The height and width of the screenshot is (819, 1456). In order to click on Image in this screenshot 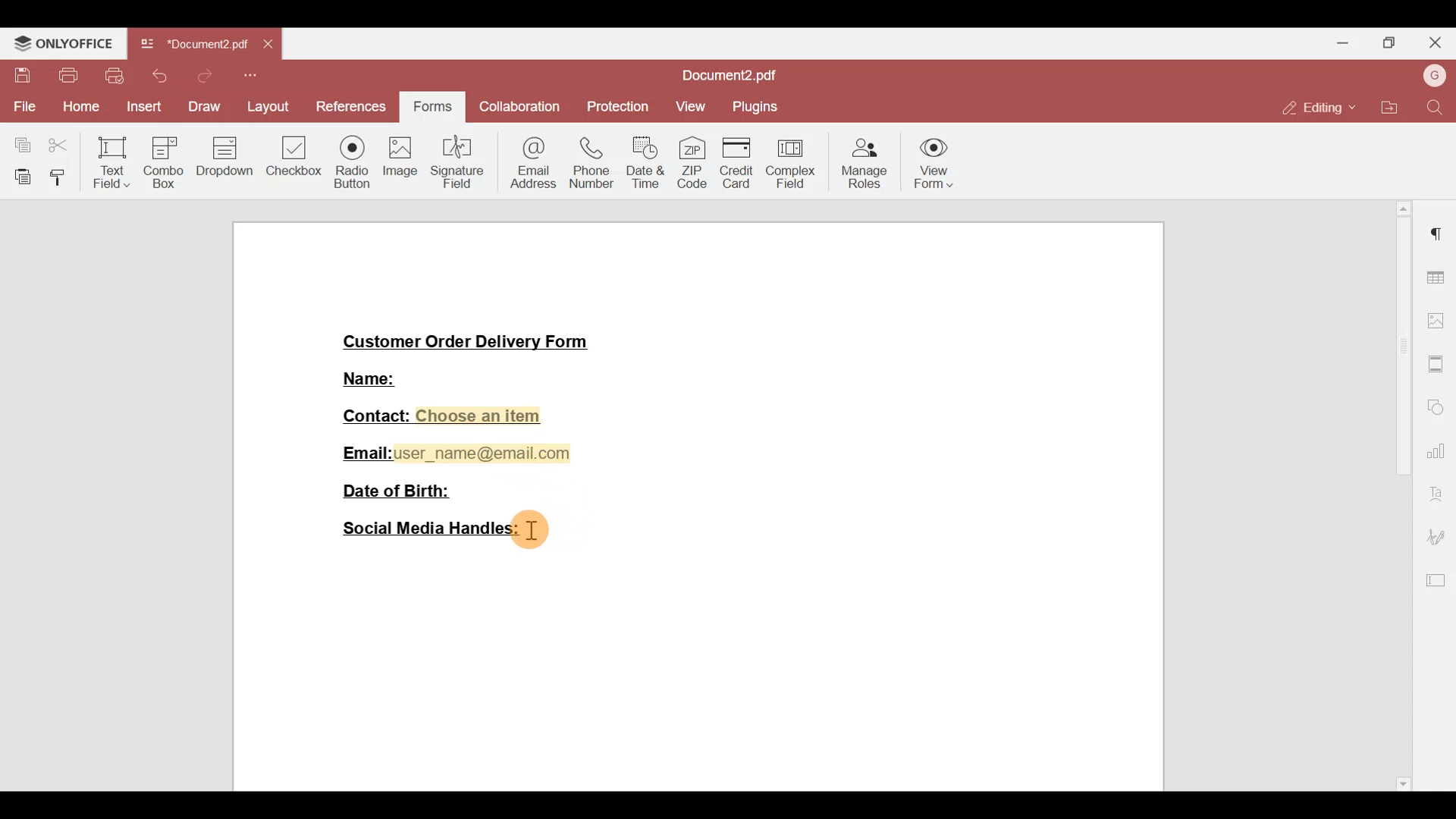, I will do `click(398, 160)`.